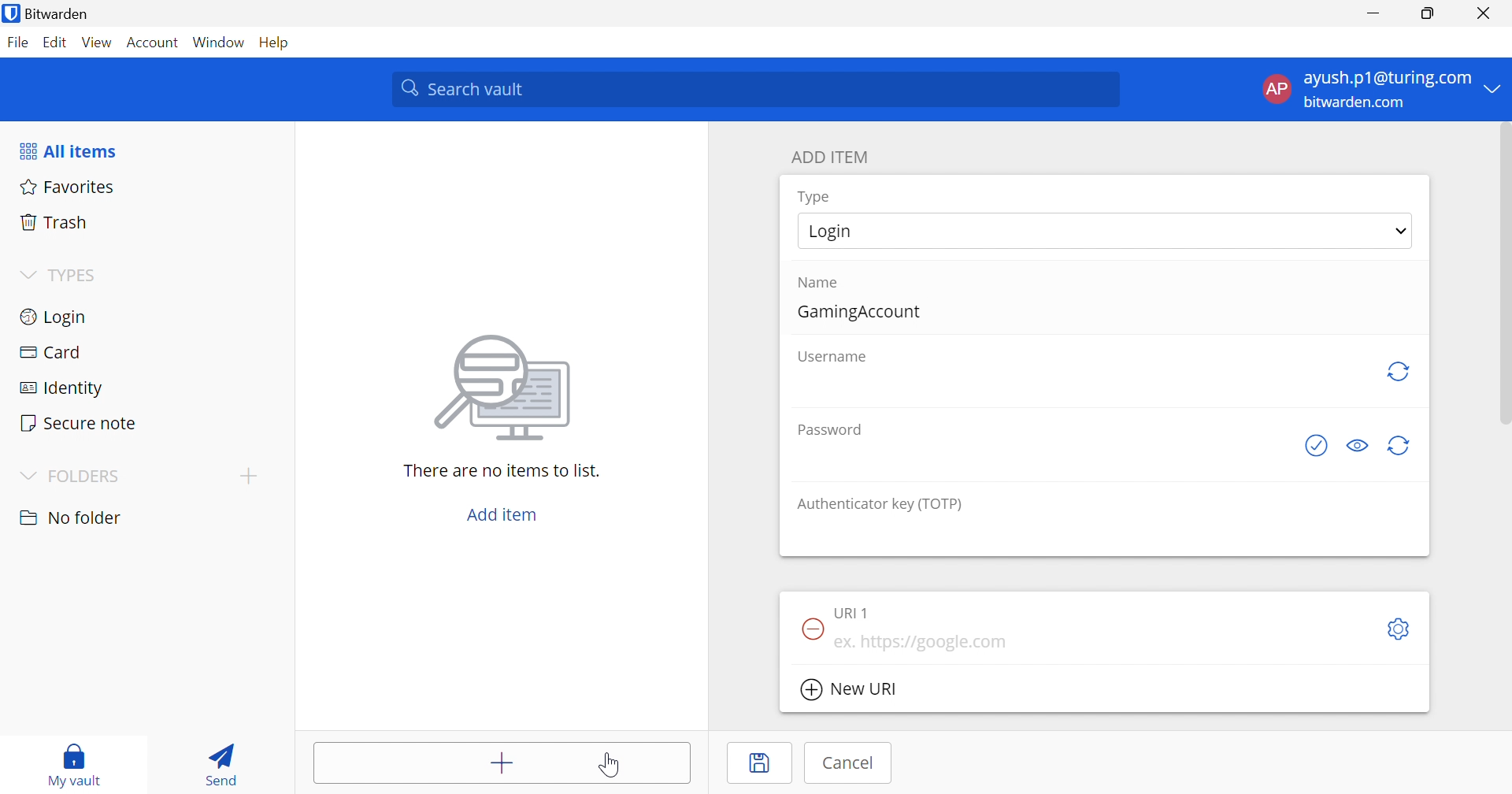 Image resolution: width=1512 pixels, height=794 pixels. I want to click on Help, so click(273, 43).